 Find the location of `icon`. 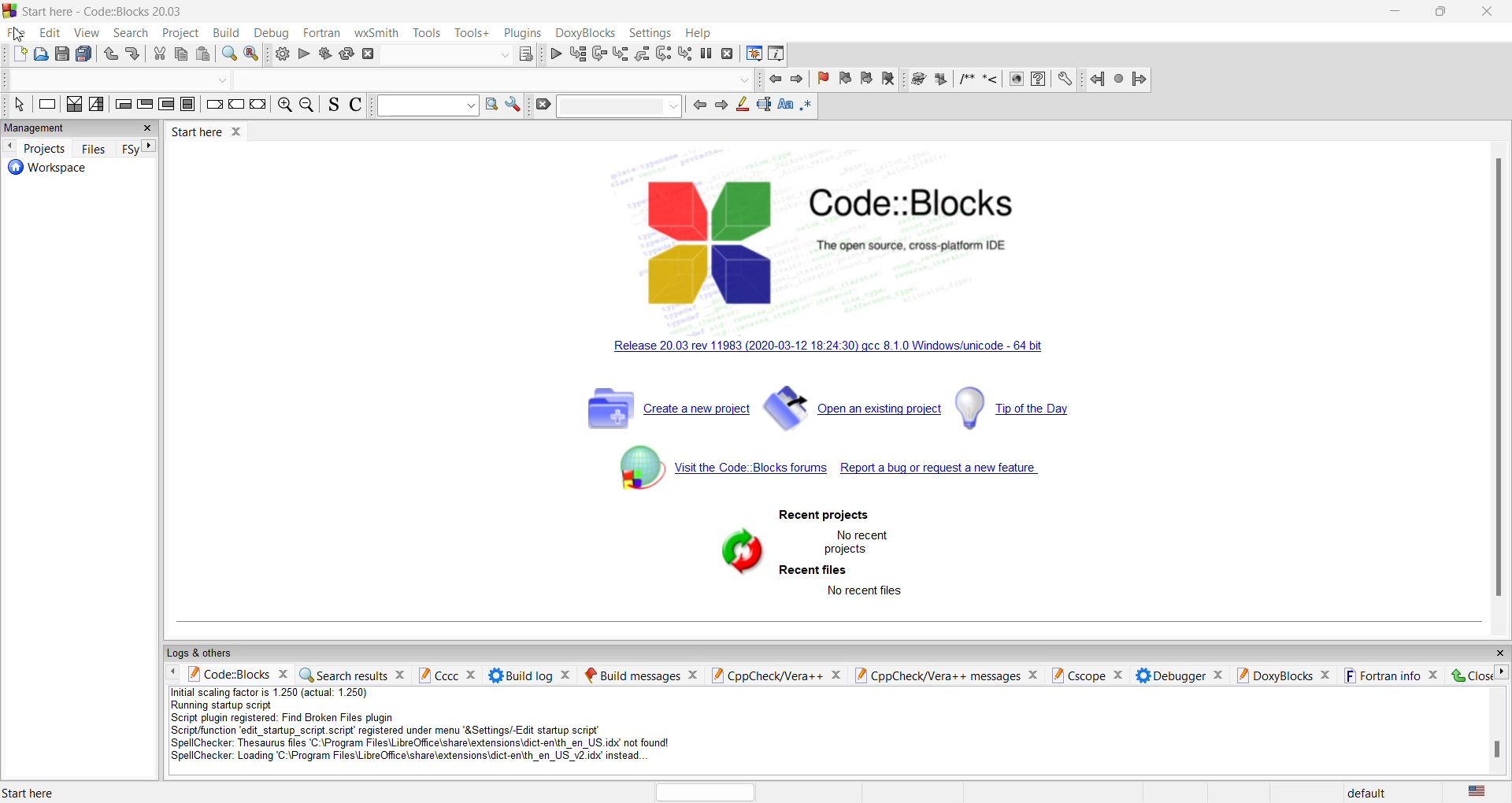

icon is located at coordinates (943, 80).